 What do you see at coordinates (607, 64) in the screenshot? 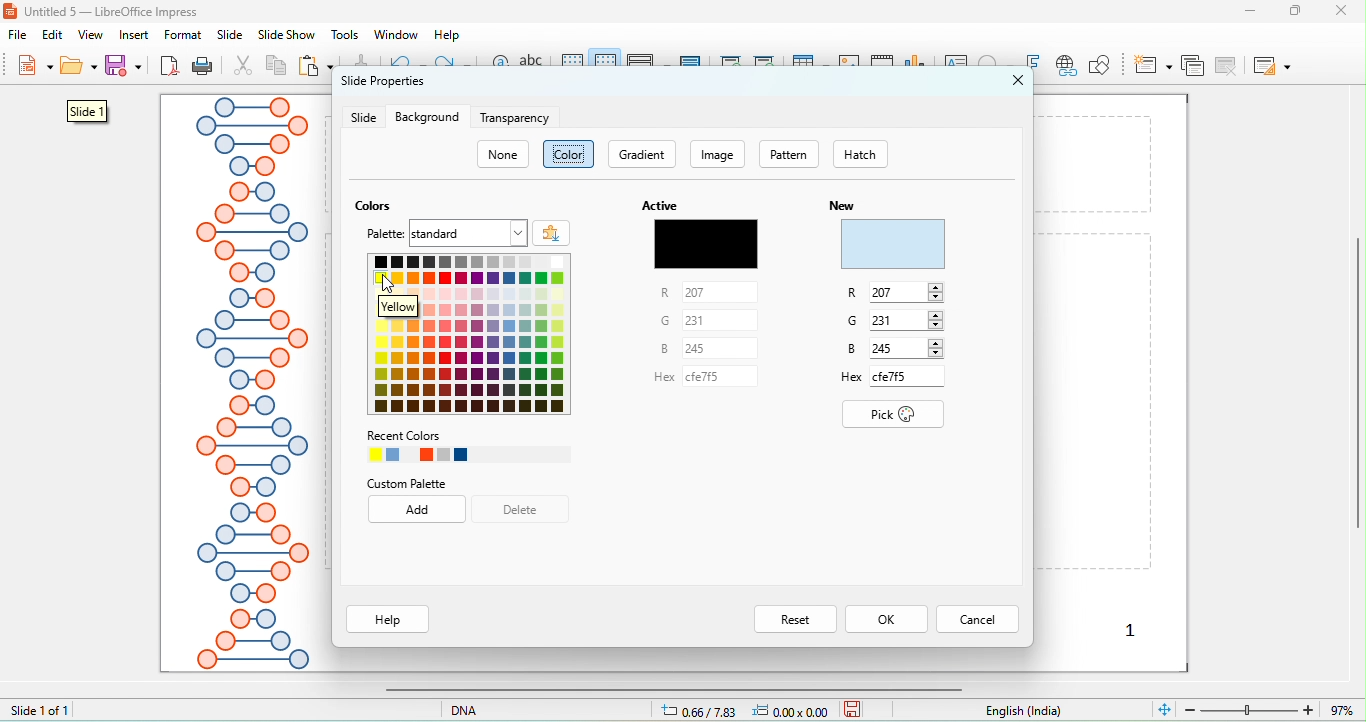
I see `snap to grid` at bounding box center [607, 64].